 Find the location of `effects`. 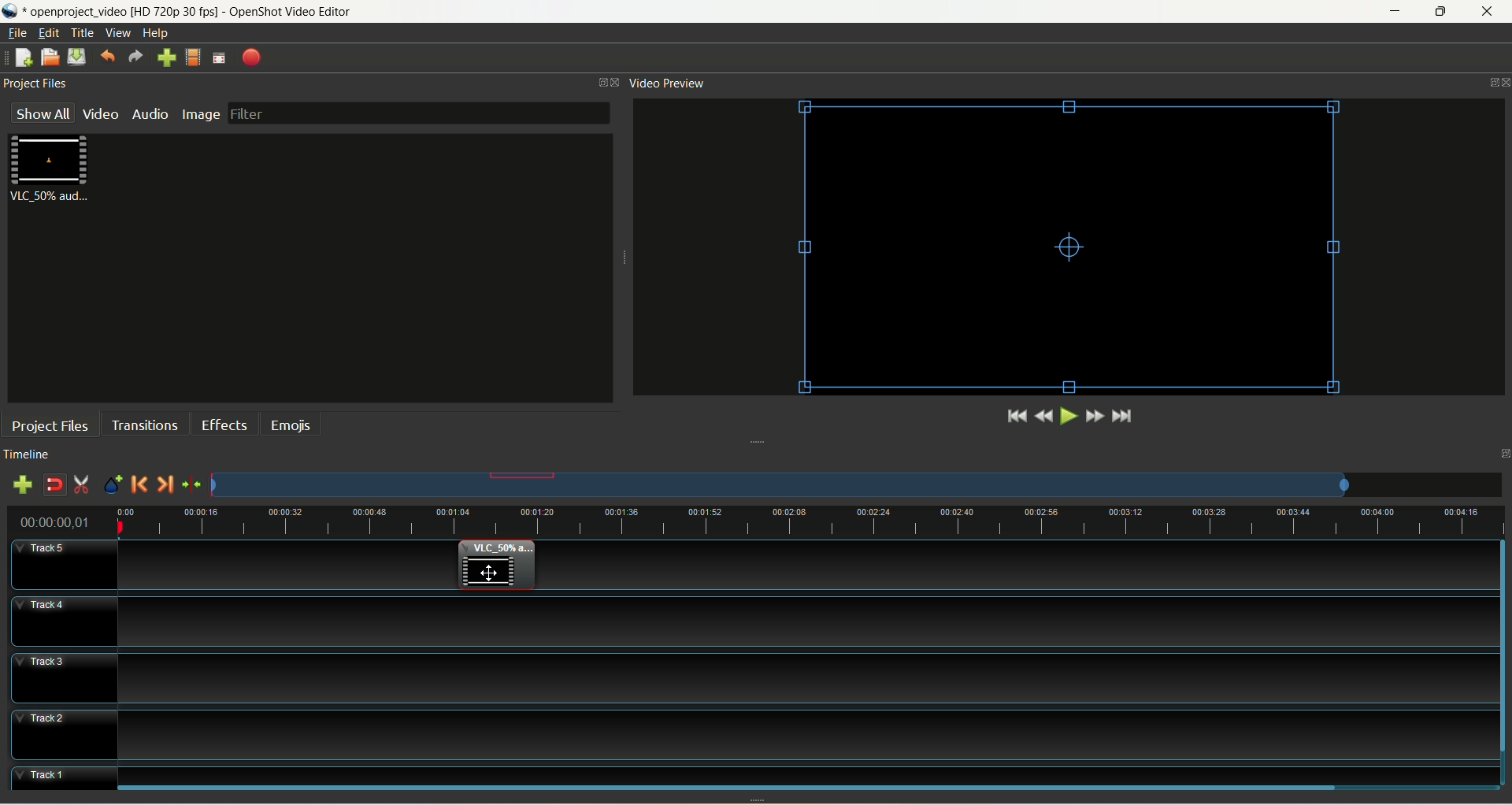

effects is located at coordinates (224, 424).